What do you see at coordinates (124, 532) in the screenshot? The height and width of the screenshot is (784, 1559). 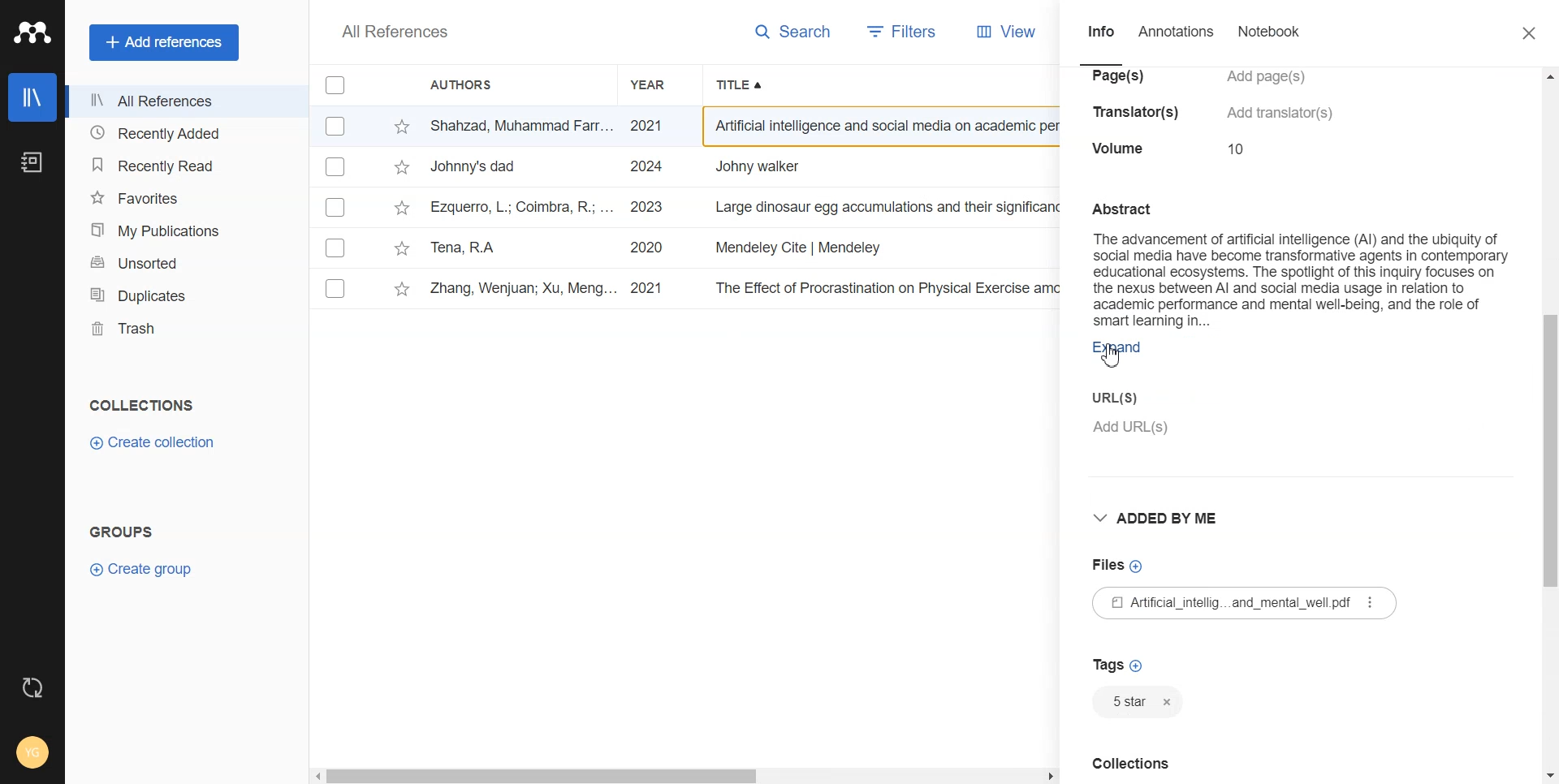 I see `Text ` at bounding box center [124, 532].